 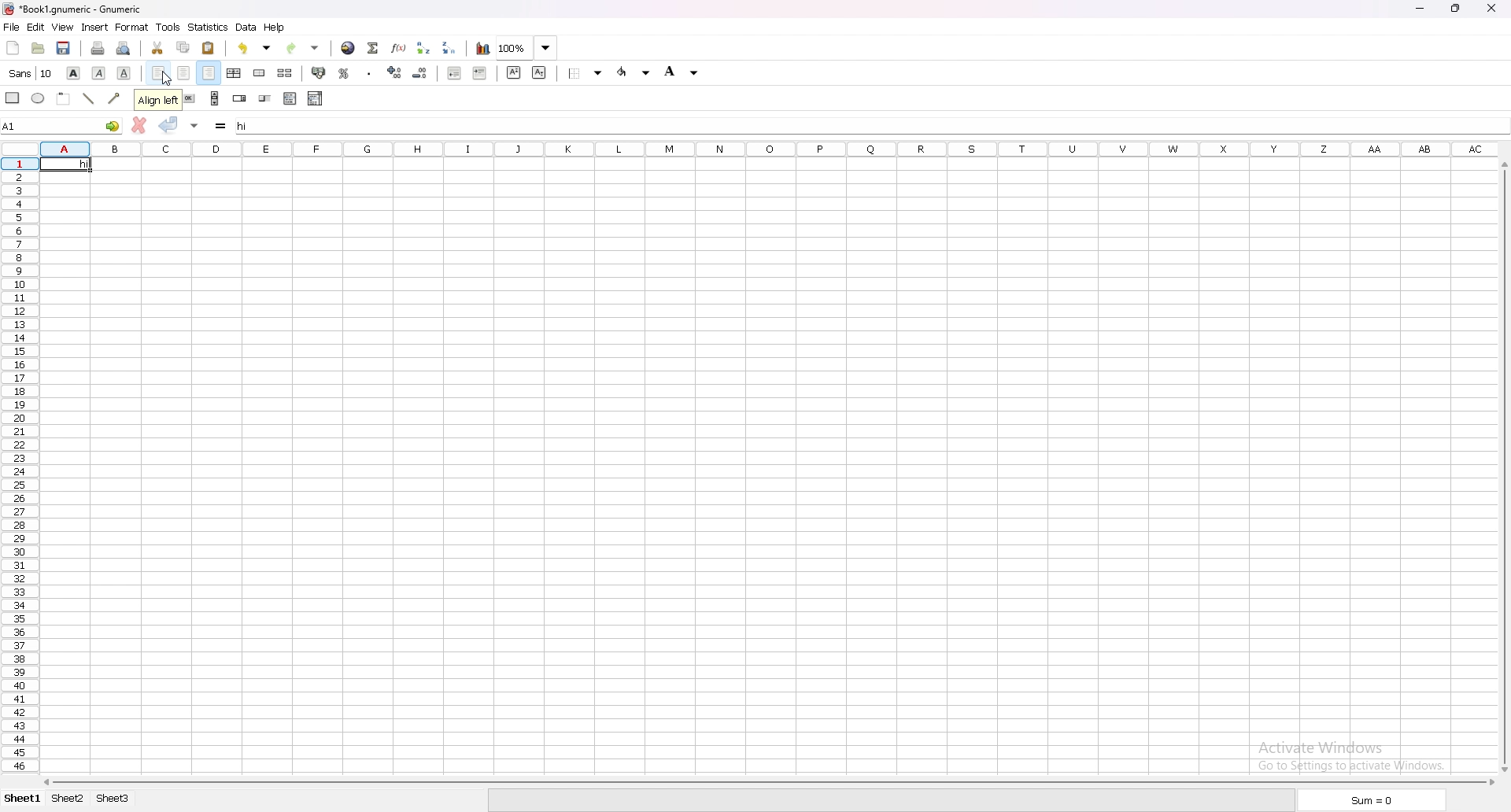 What do you see at coordinates (588, 73) in the screenshot?
I see `borders` at bounding box center [588, 73].